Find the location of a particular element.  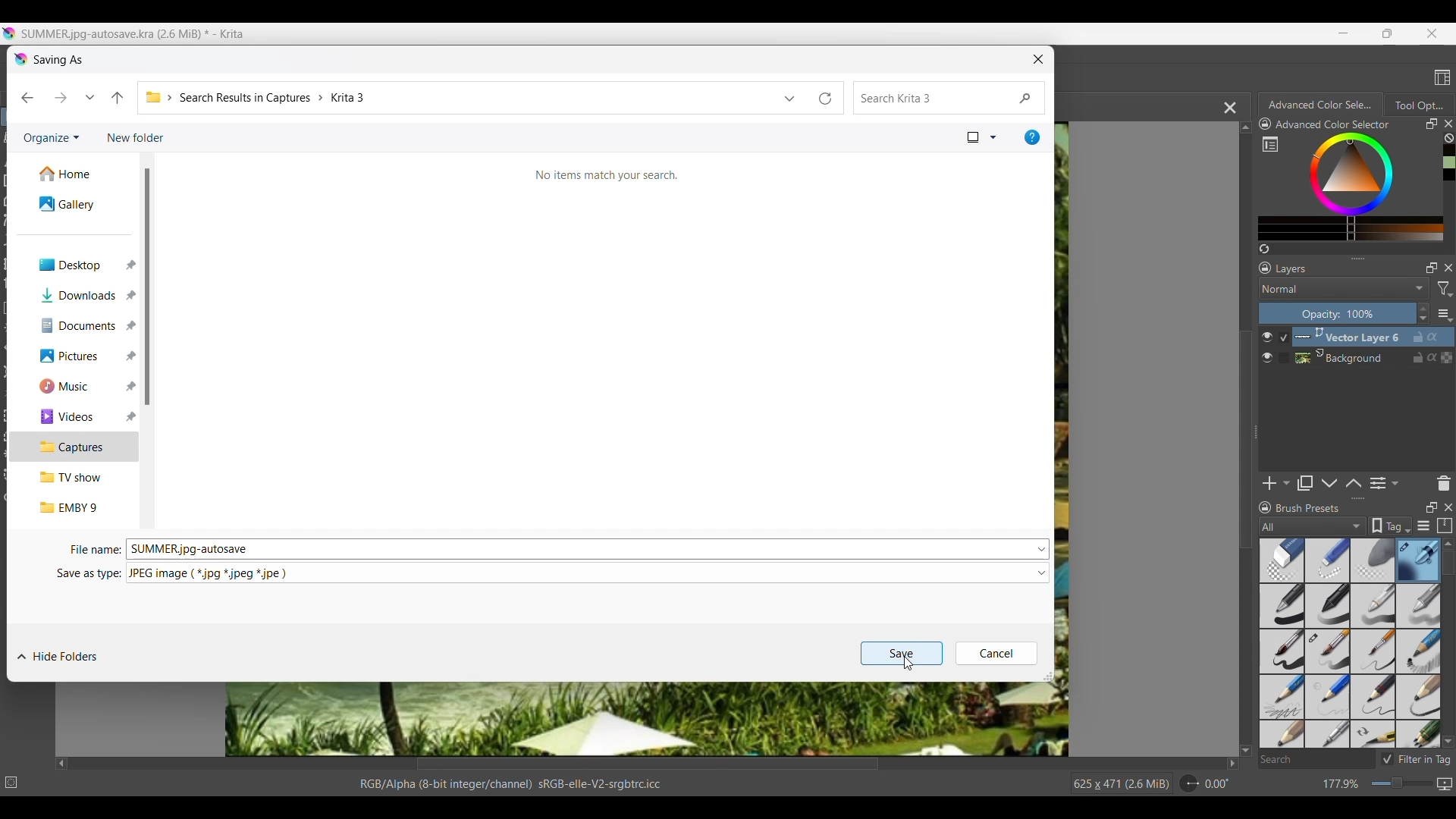

Change height of panels attached to this line is located at coordinates (1332, 498).